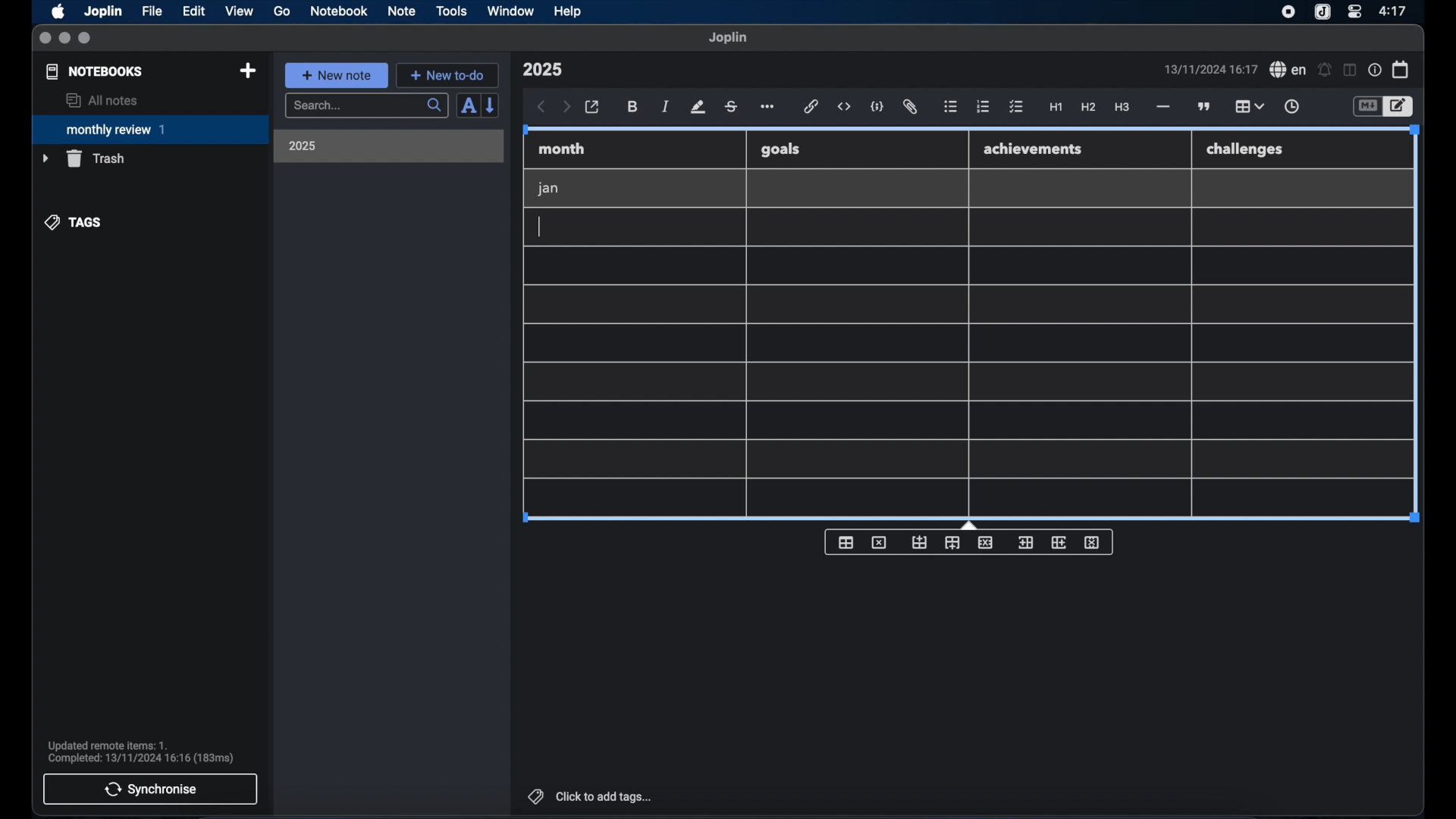 This screenshot has height=819, width=1456. Describe the element at coordinates (448, 75) in the screenshot. I see `new to-do` at that location.